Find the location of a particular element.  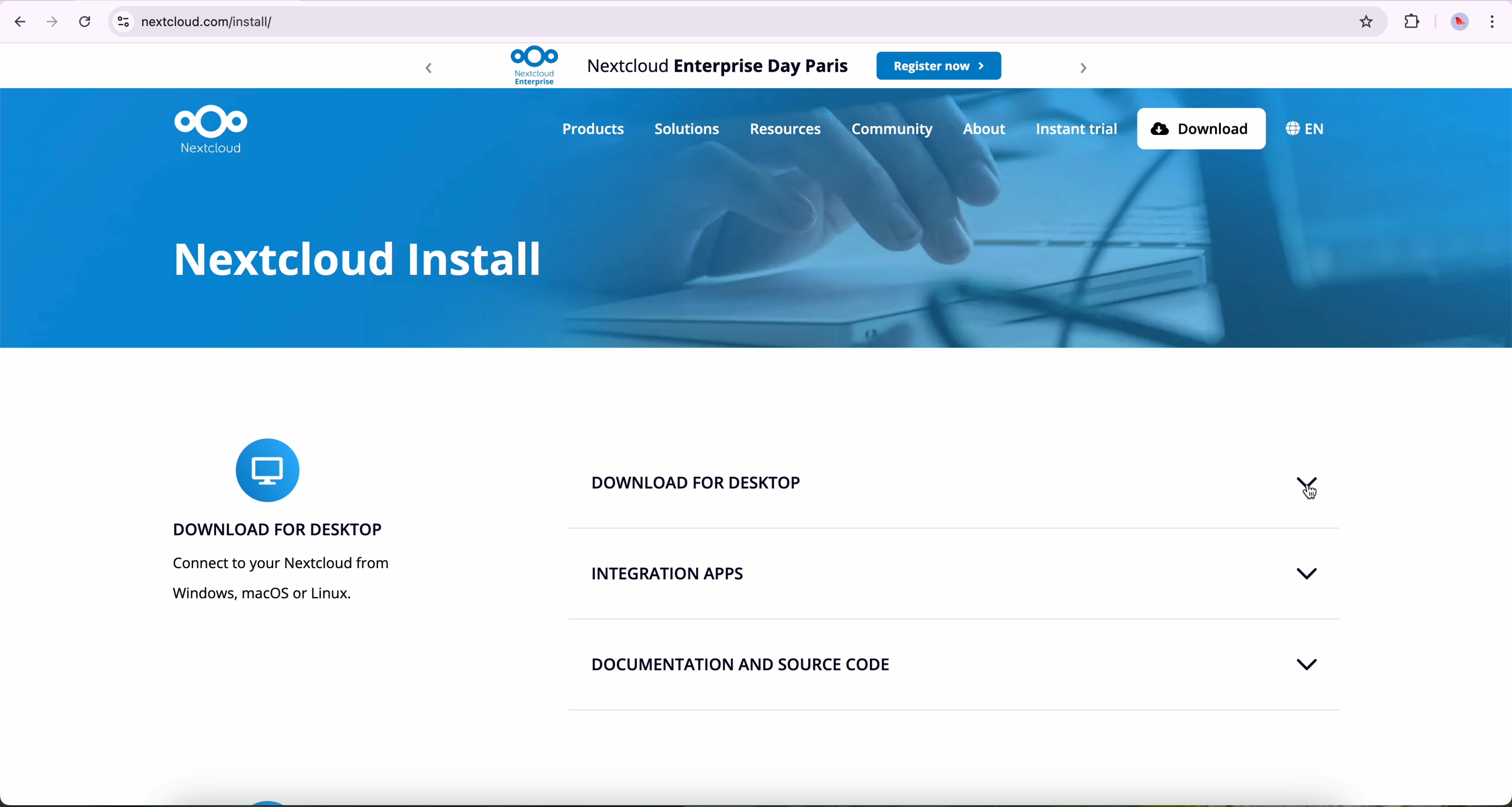

connect to your Nextcloud from Windows, macOS or Linux. is located at coordinates (278, 582).